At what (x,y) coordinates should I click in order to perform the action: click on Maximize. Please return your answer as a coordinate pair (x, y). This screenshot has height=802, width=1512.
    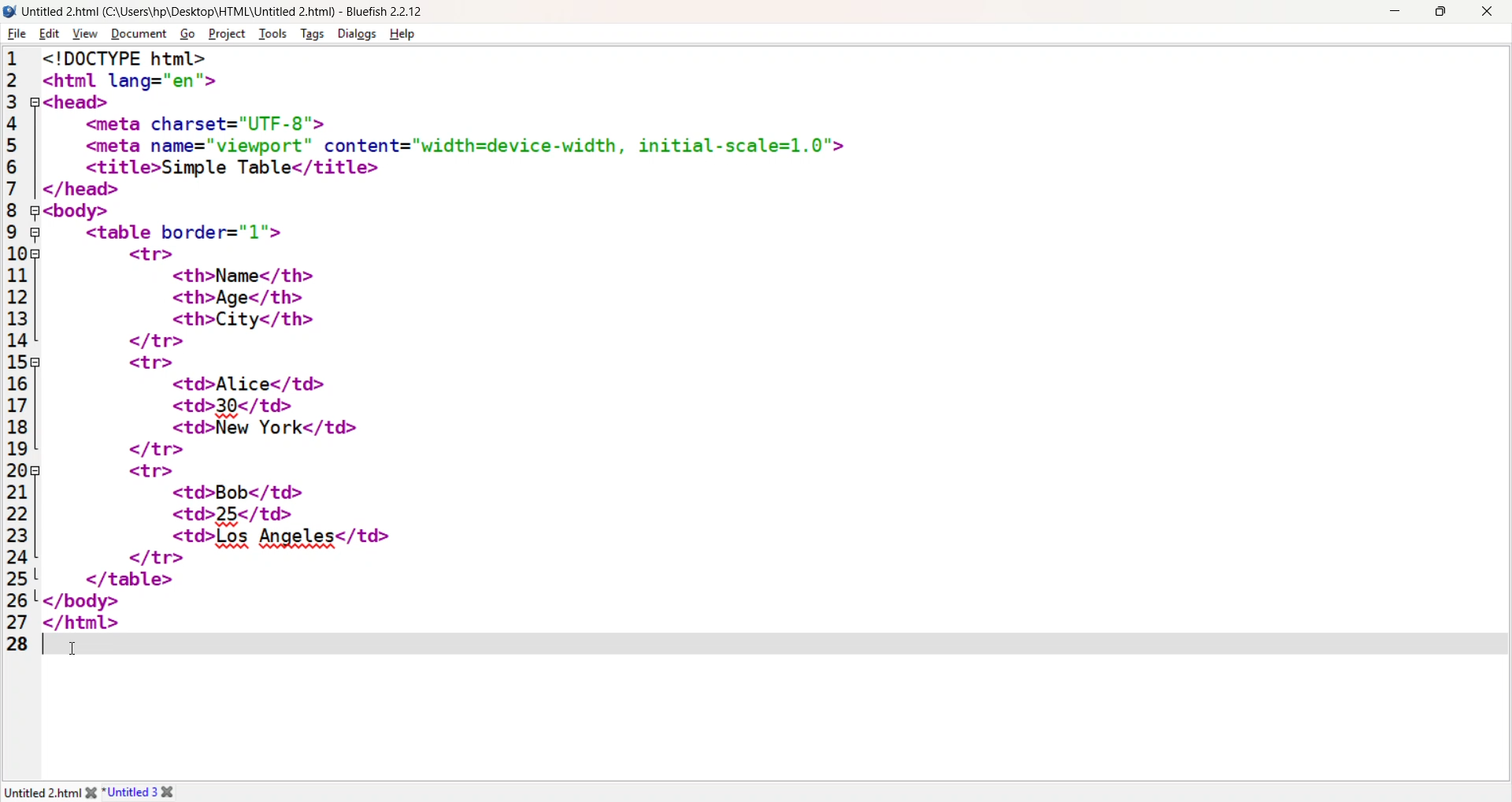
    Looking at the image, I should click on (1440, 12).